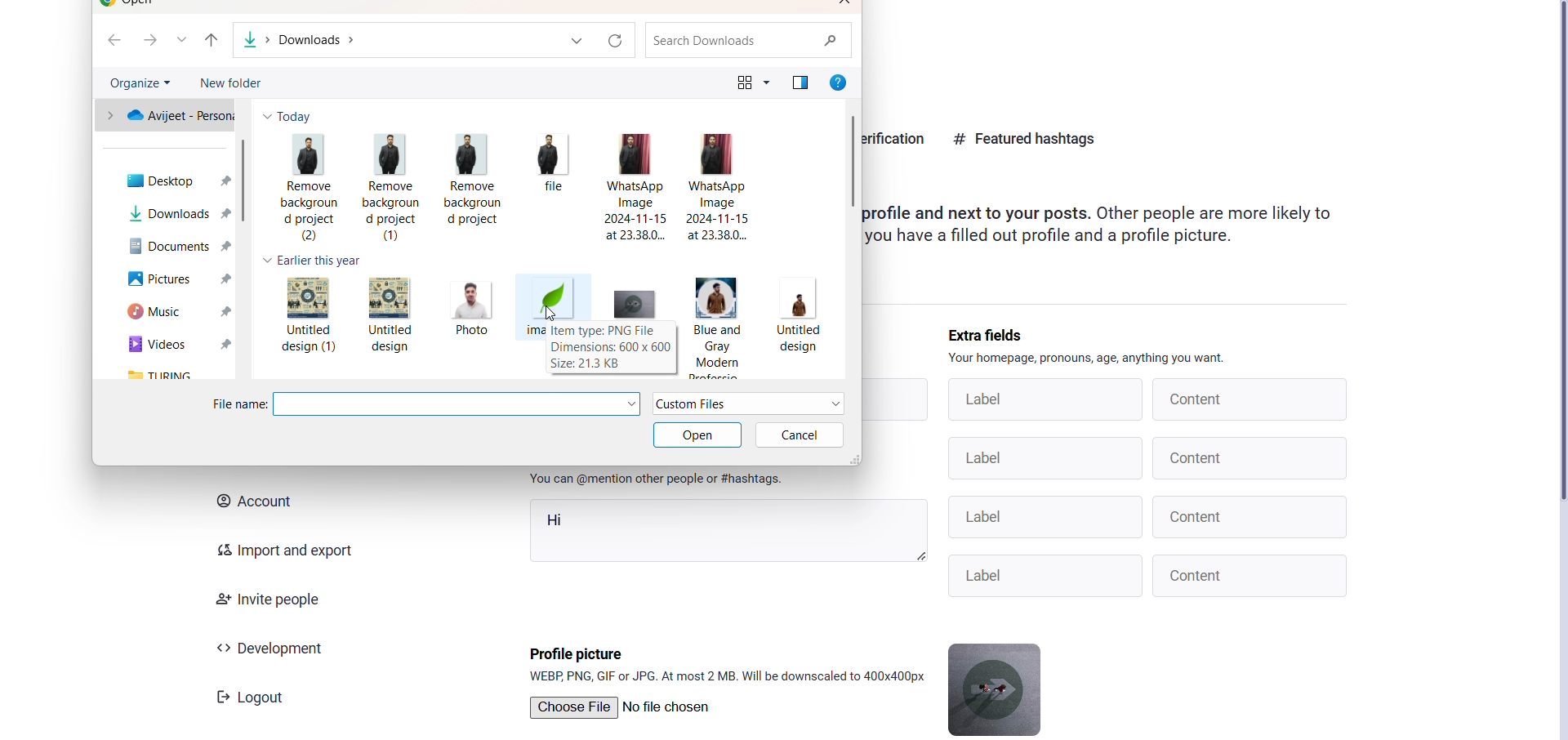 The height and width of the screenshot is (740, 1568). I want to click on Untitled design (1), so click(305, 317).